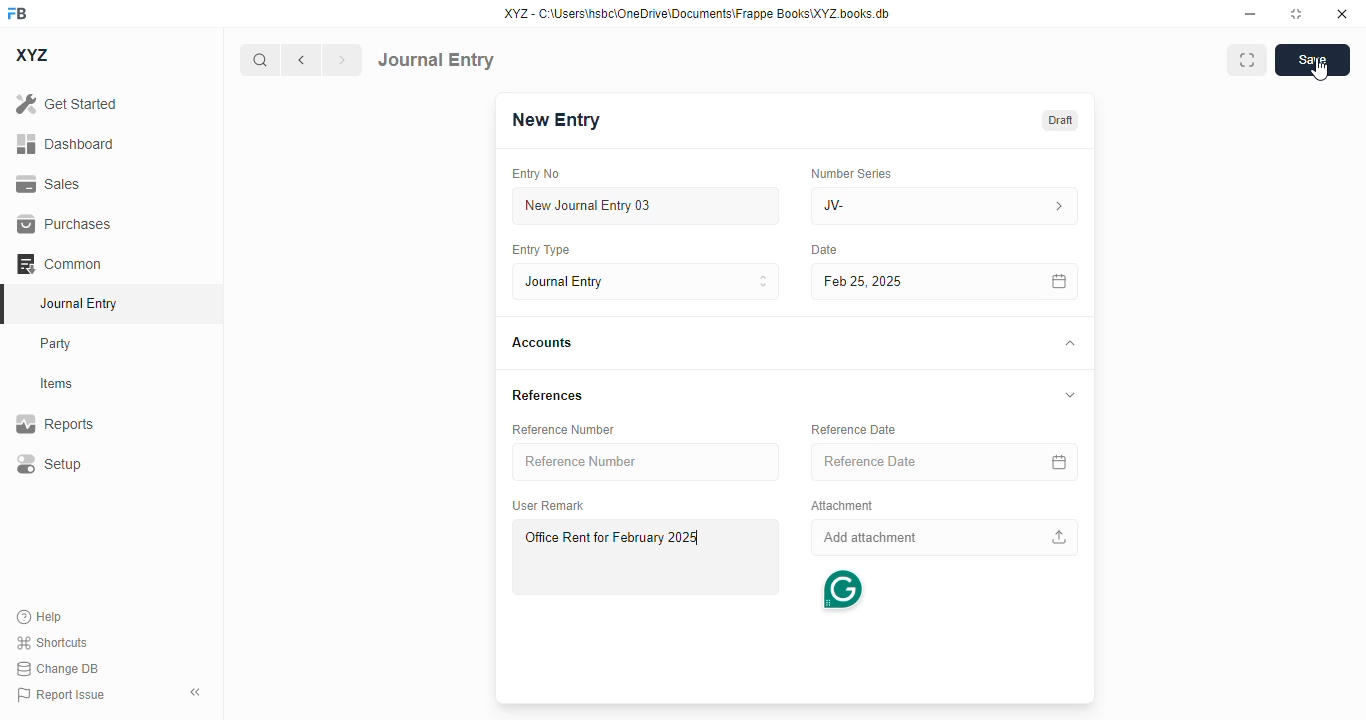 The width and height of the screenshot is (1366, 720). I want to click on accounts, so click(542, 343).